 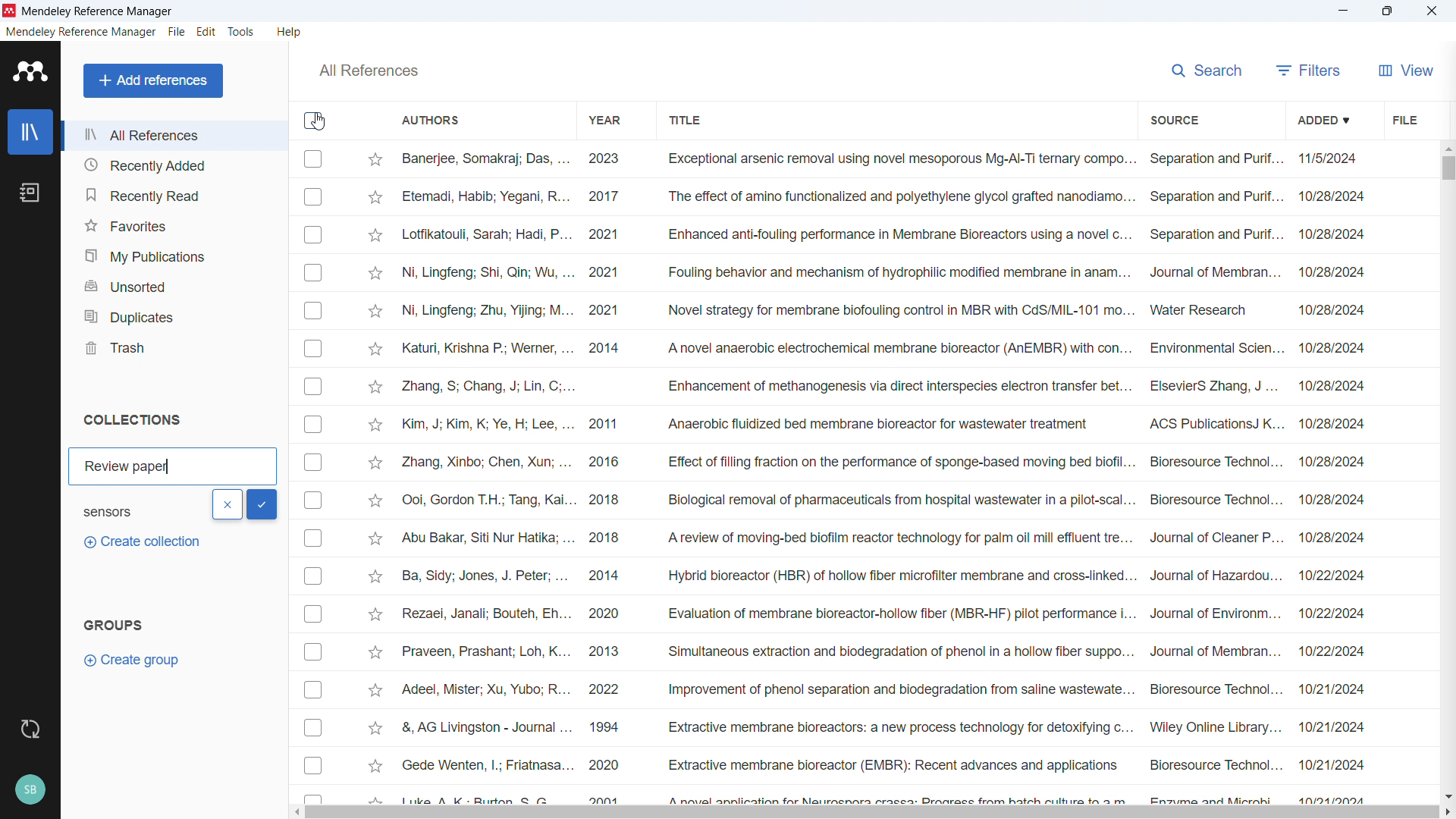 I want to click on Year, so click(x=607, y=119).